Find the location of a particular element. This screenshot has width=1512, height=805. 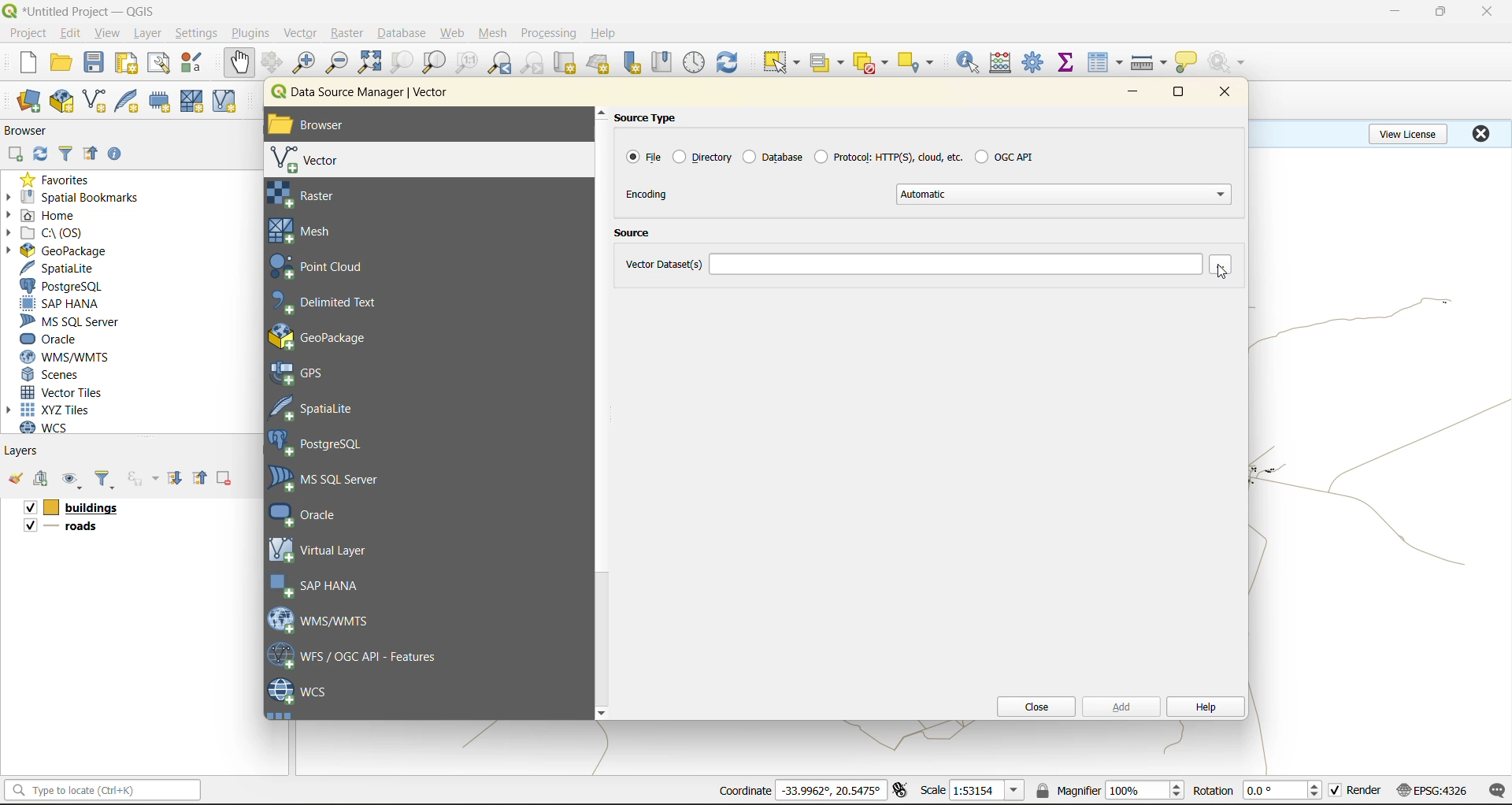

wcs is located at coordinates (299, 692).